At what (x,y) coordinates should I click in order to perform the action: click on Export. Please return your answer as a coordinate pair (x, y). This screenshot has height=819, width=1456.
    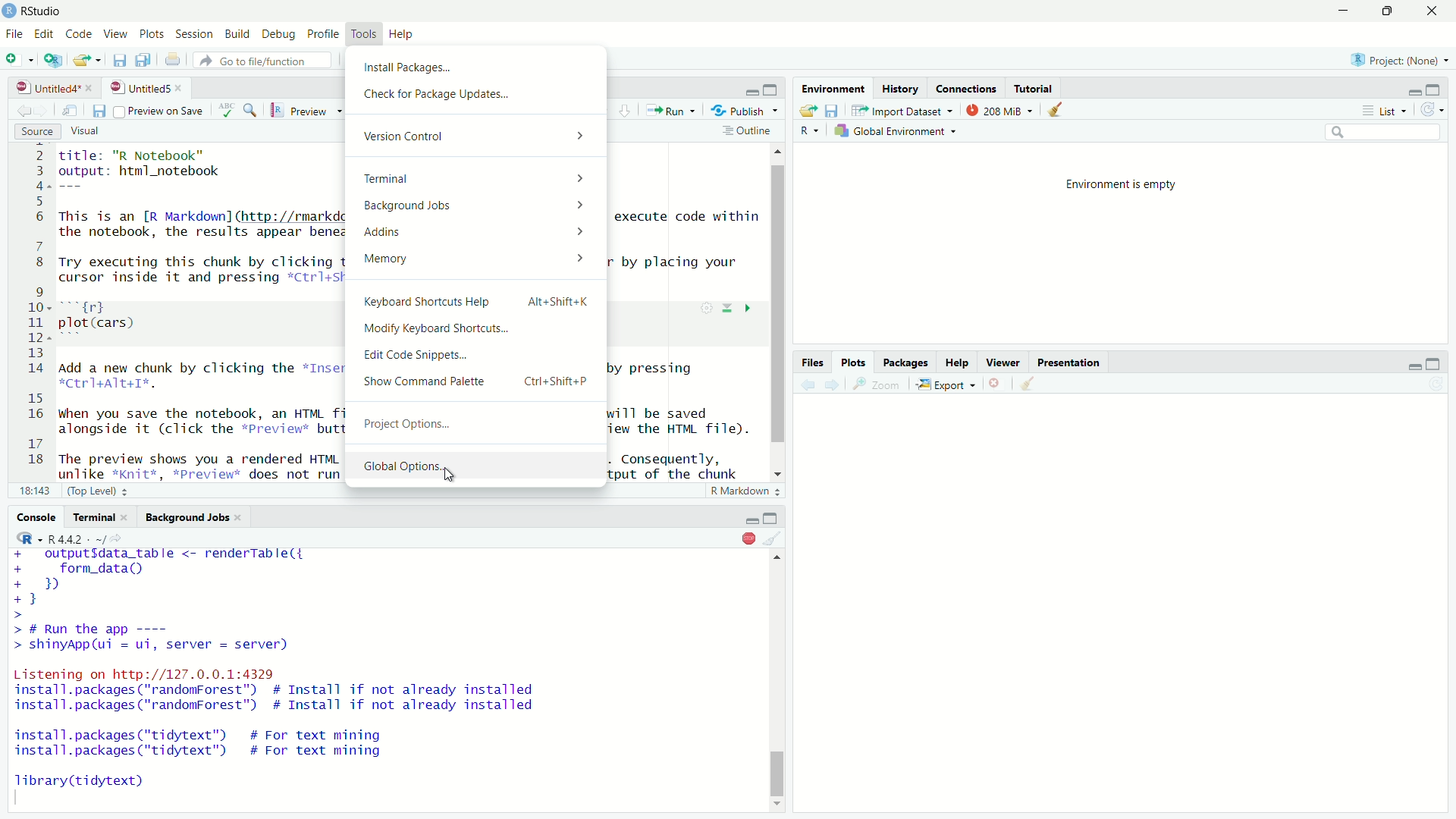
    Looking at the image, I should click on (948, 385).